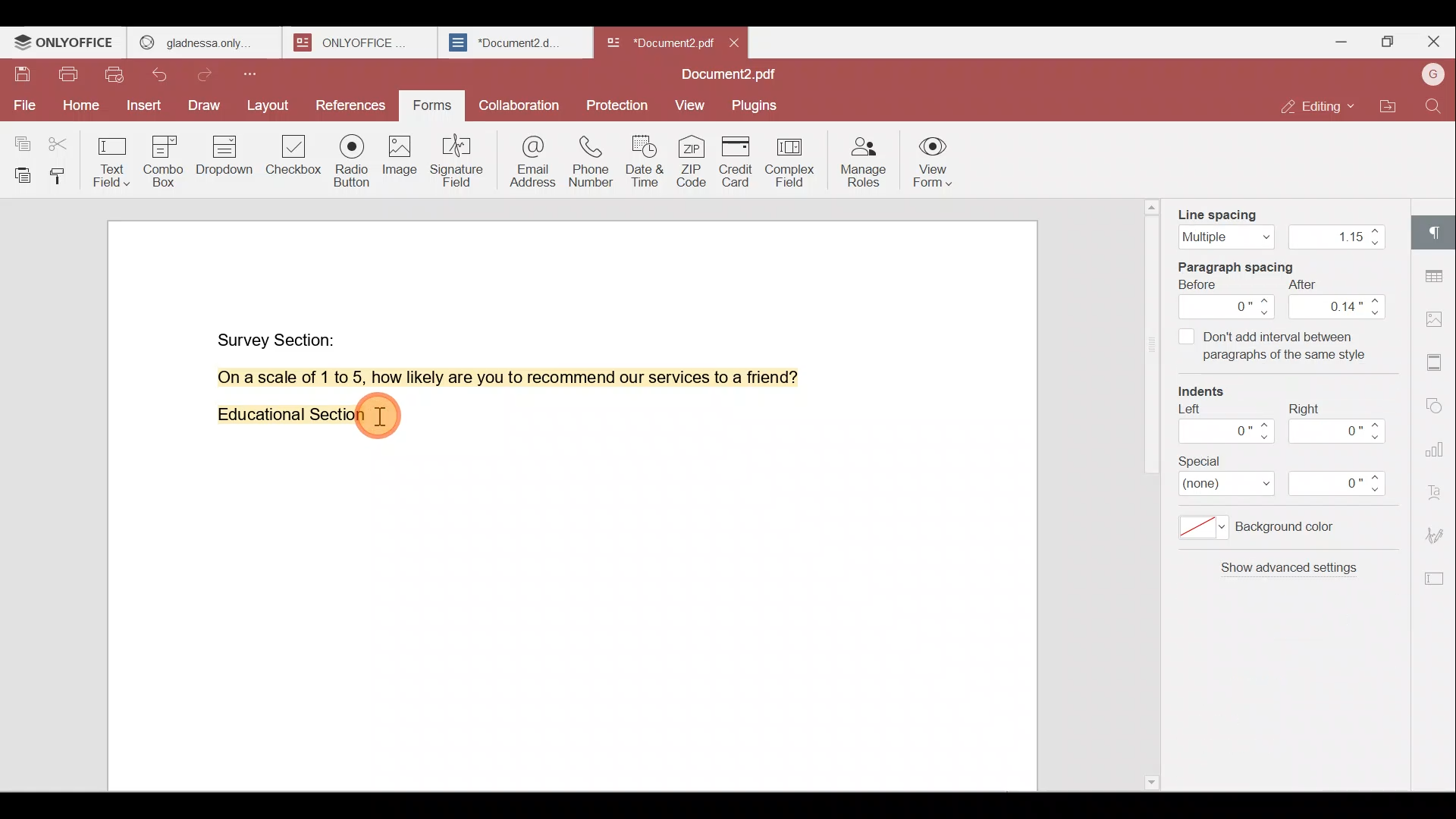 The width and height of the screenshot is (1456, 819). Describe the element at coordinates (1275, 346) in the screenshot. I see `Internal paragraphs` at that location.